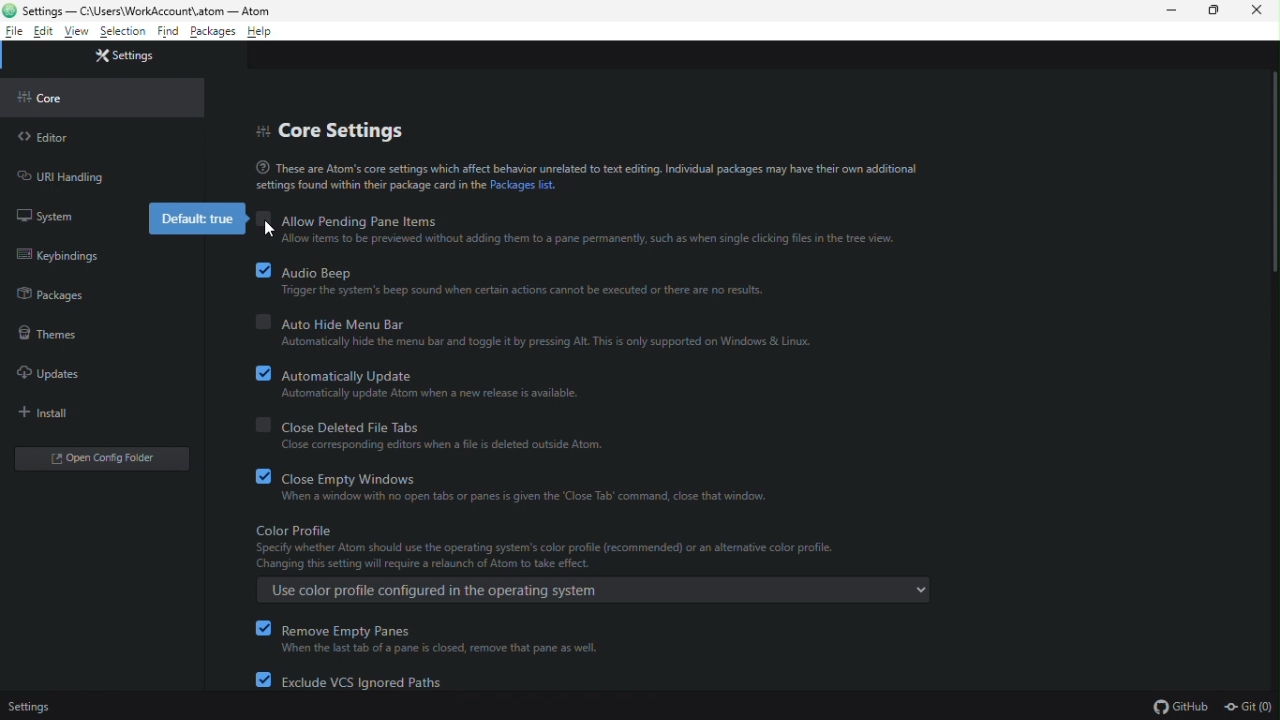  What do you see at coordinates (196, 218) in the screenshot?
I see `default: true` at bounding box center [196, 218].